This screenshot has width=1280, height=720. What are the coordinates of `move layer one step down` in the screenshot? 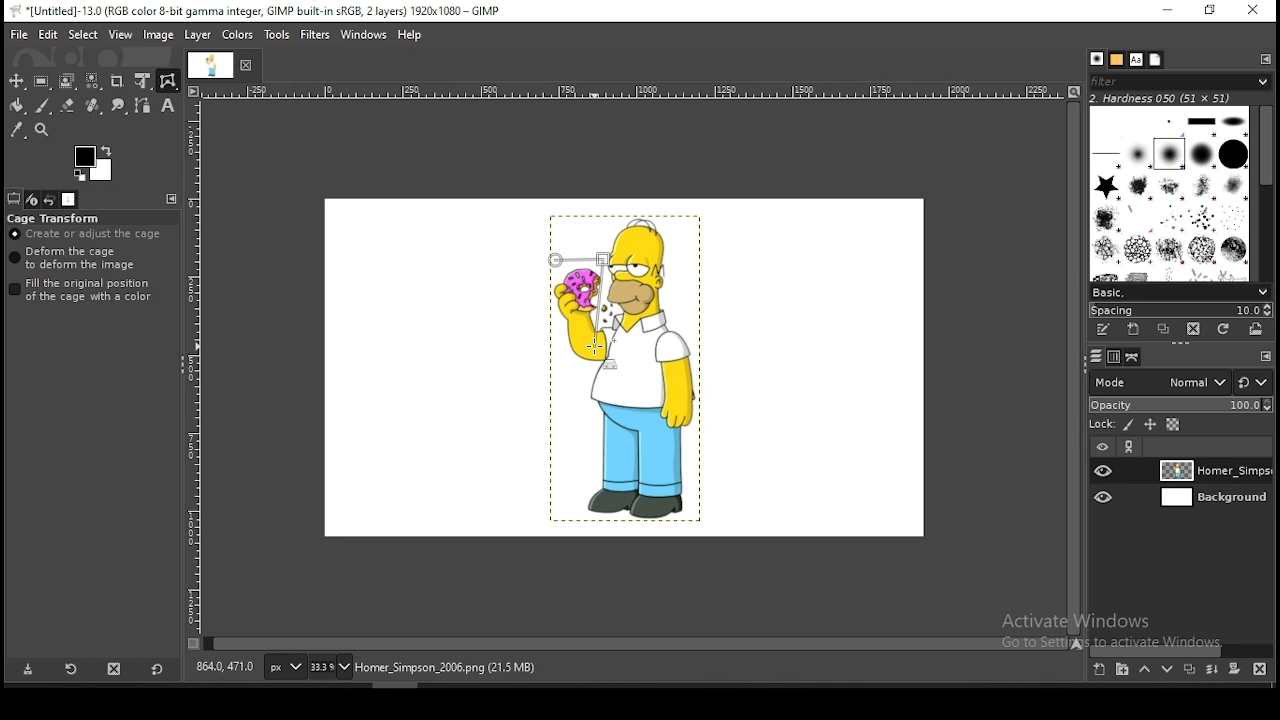 It's located at (1168, 671).